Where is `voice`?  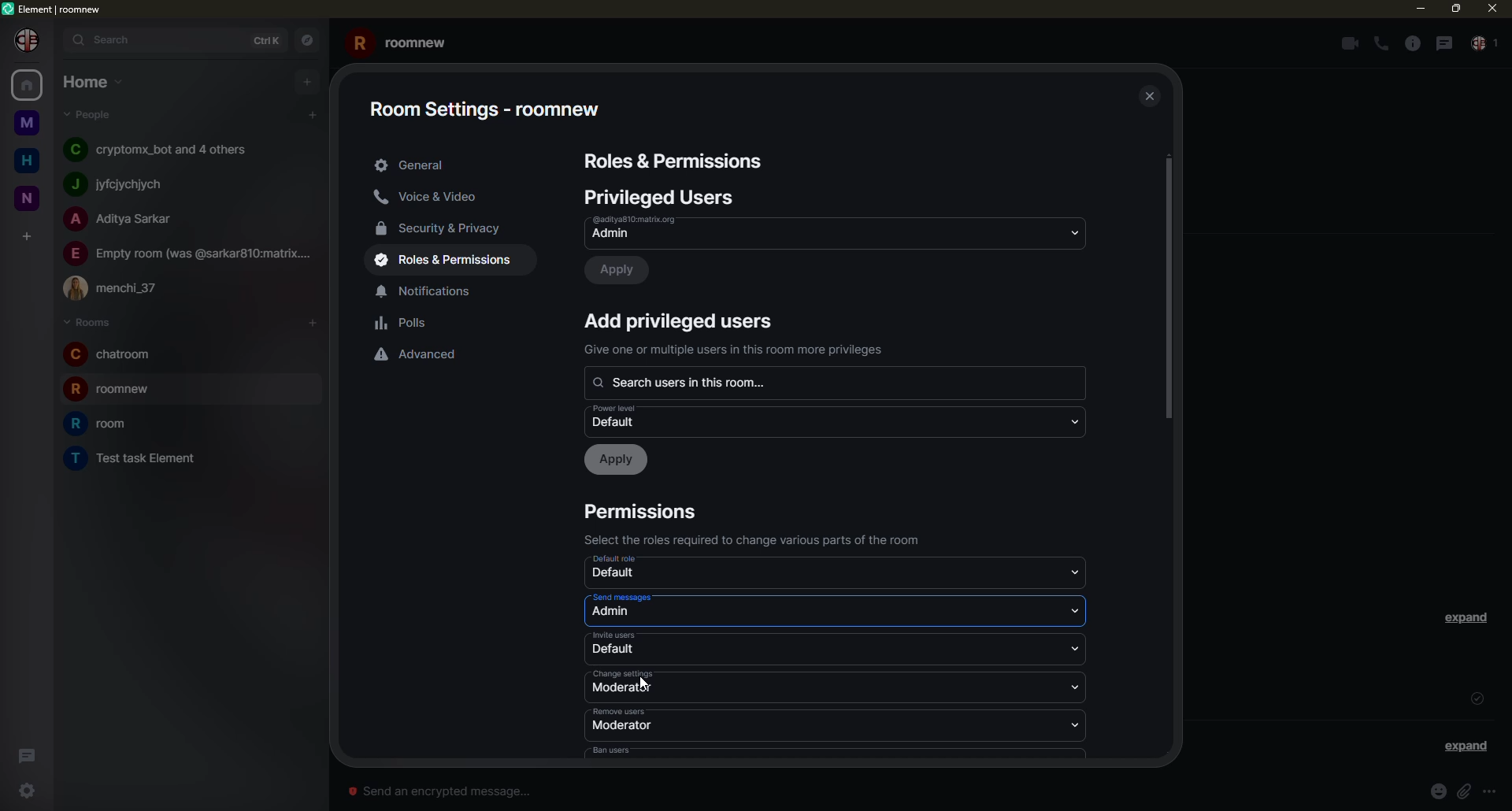
voice is located at coordinates (1381, 44).